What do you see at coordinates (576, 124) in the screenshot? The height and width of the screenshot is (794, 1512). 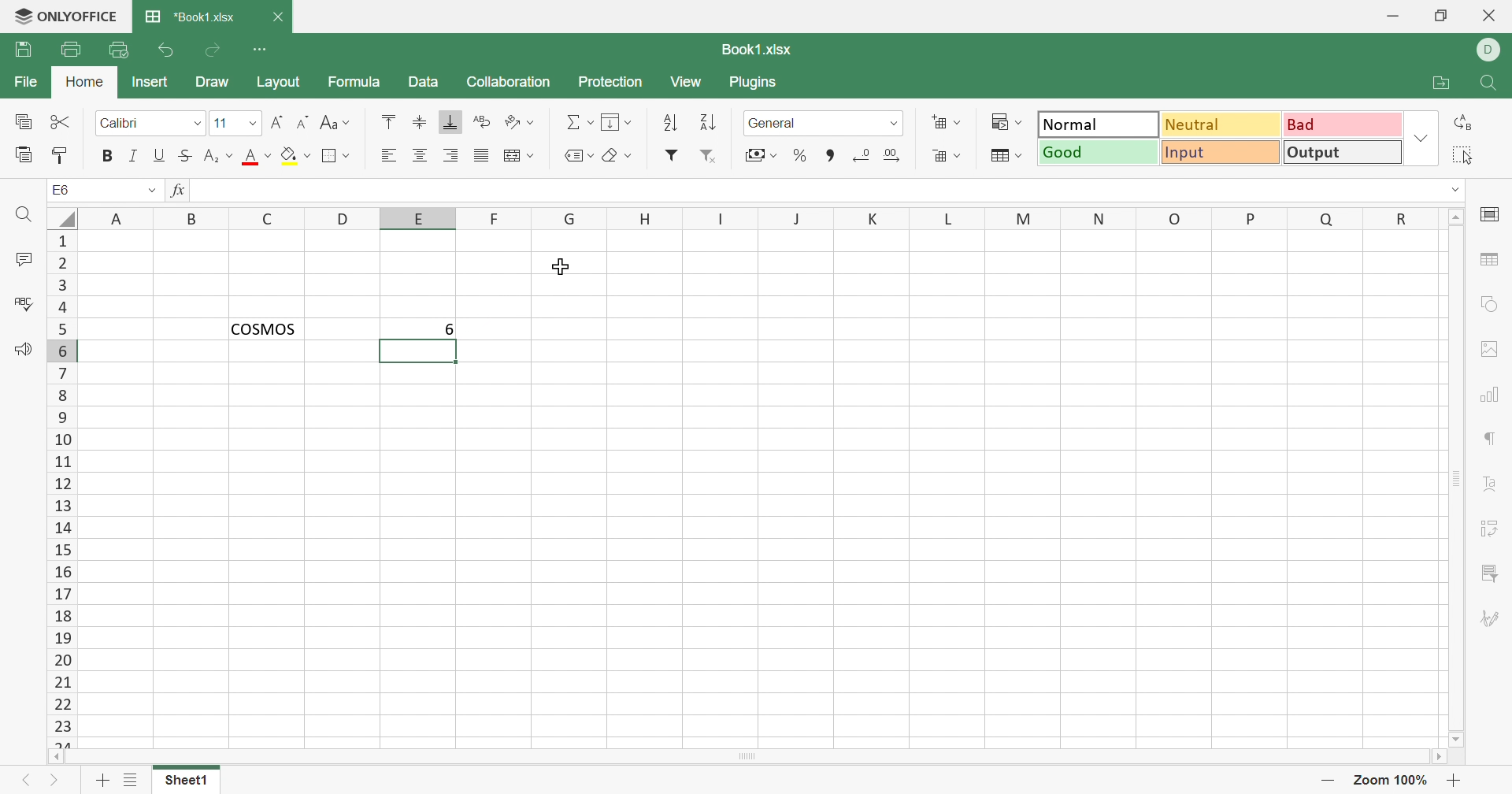 I see `Summation` at bounding box center [576, 124].